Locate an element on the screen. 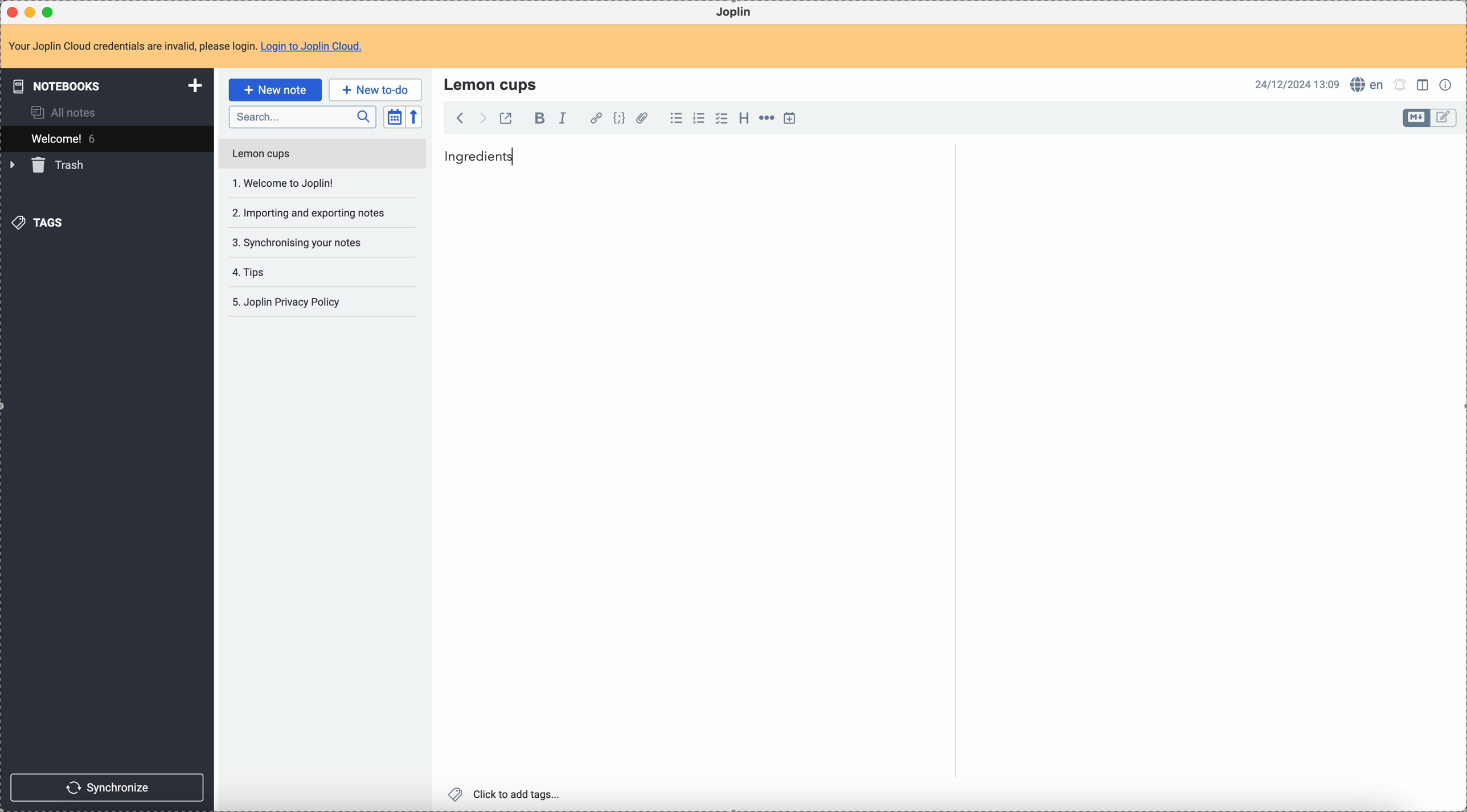 Image resolution: width=1467 pixels, height=812 pixels. check list is located at coordinates (721, 118).